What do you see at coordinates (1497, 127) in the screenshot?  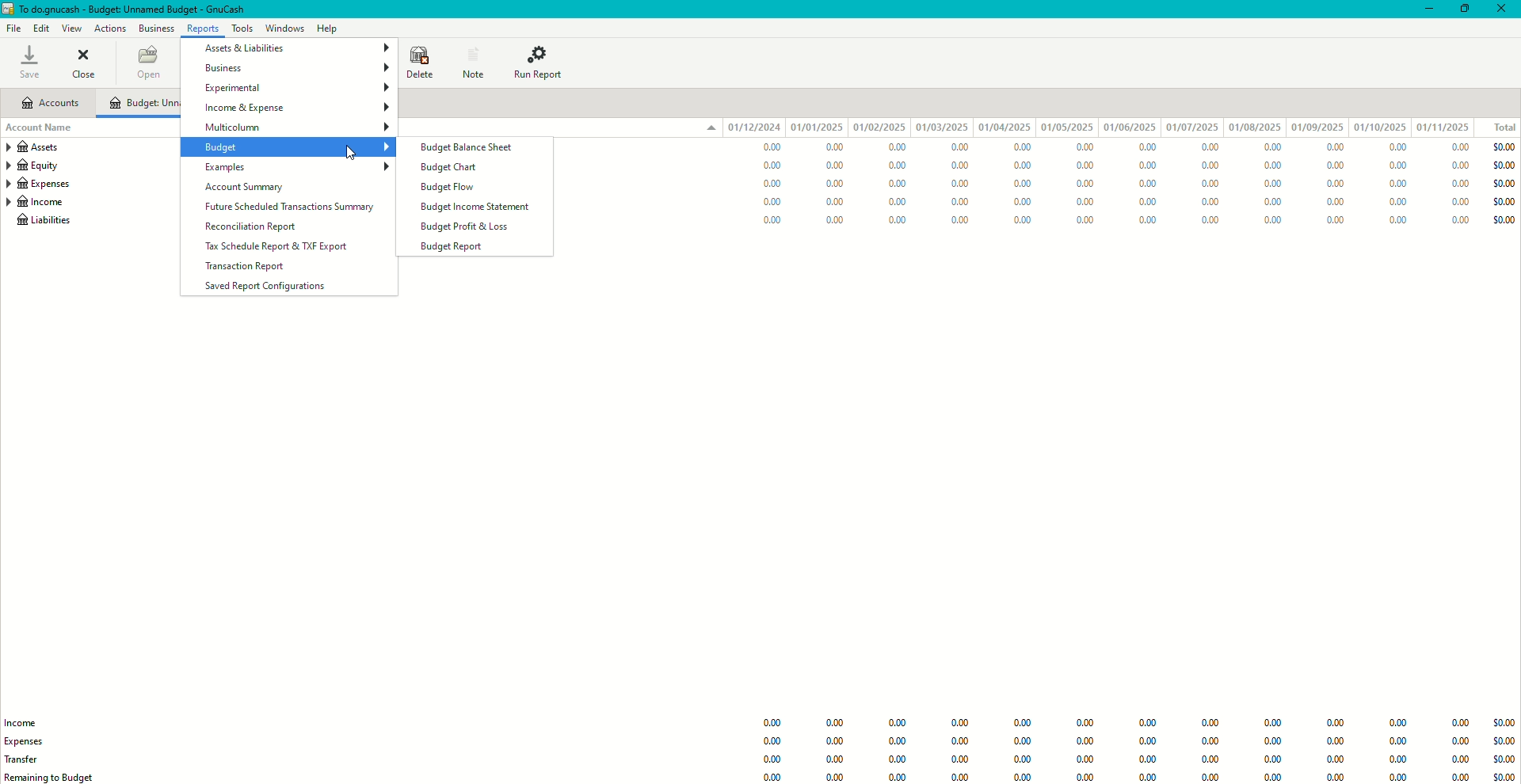 I see `Total` at bounding box center [1497, 127].